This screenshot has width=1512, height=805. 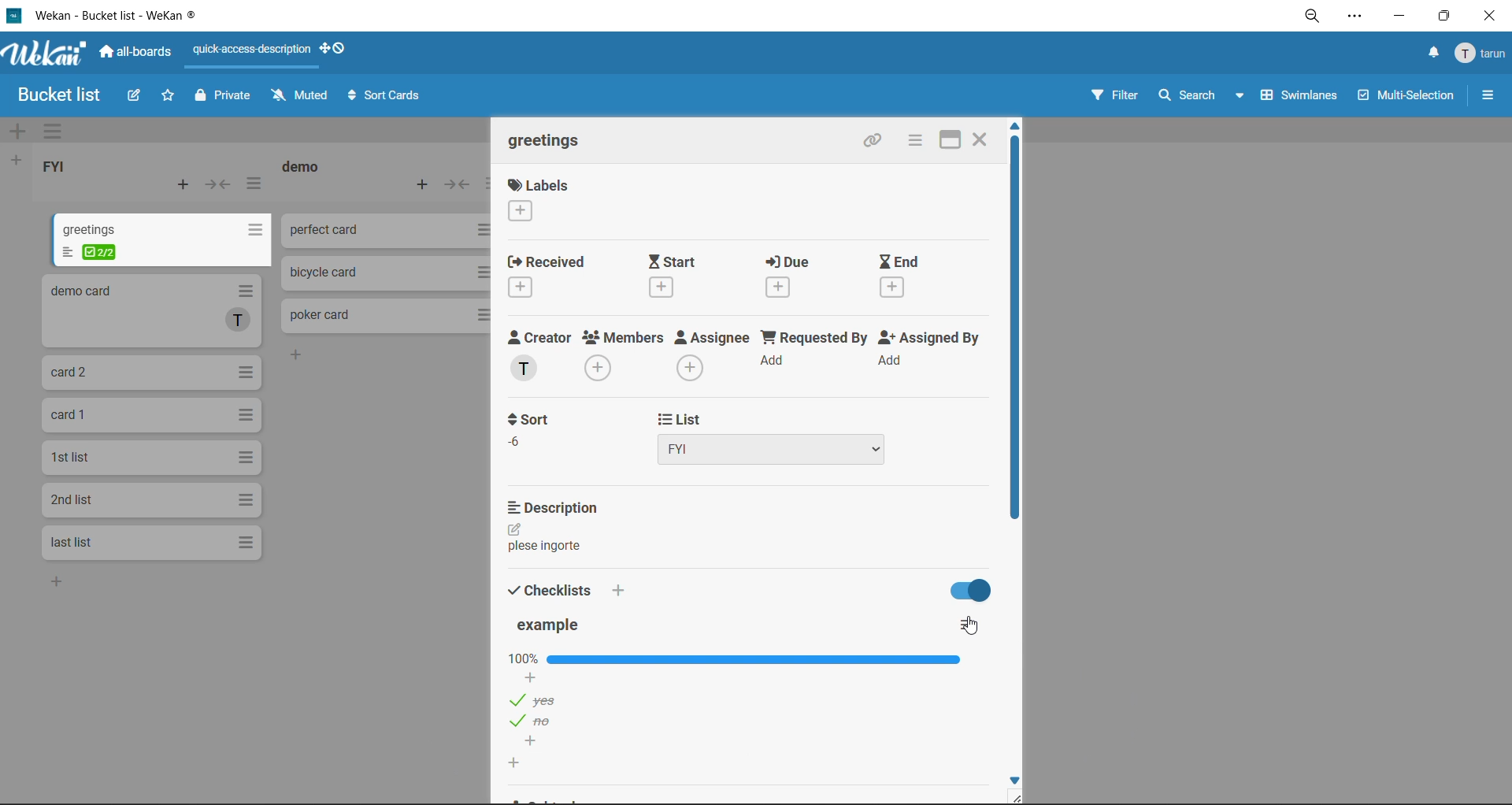 I want to click on copy link, so click(x=877, y=142).